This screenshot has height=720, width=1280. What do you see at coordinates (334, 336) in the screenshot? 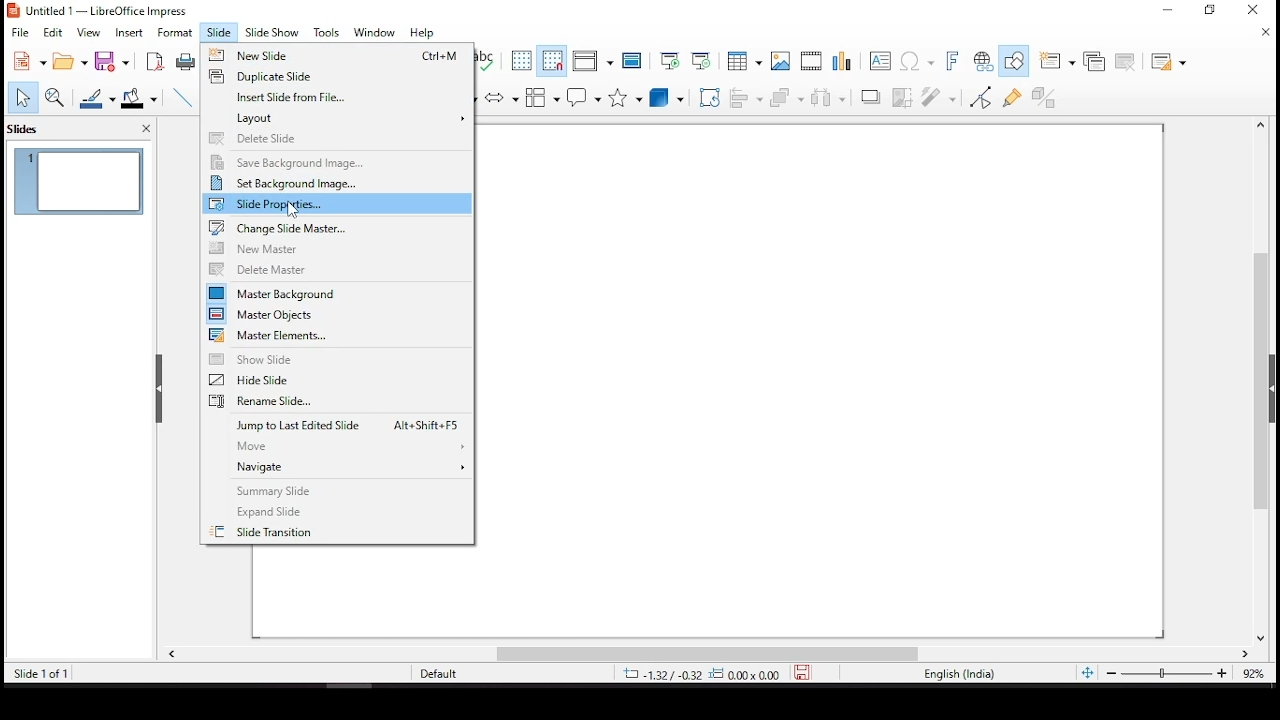
I see `master elements` at bounding box center [334, 336].